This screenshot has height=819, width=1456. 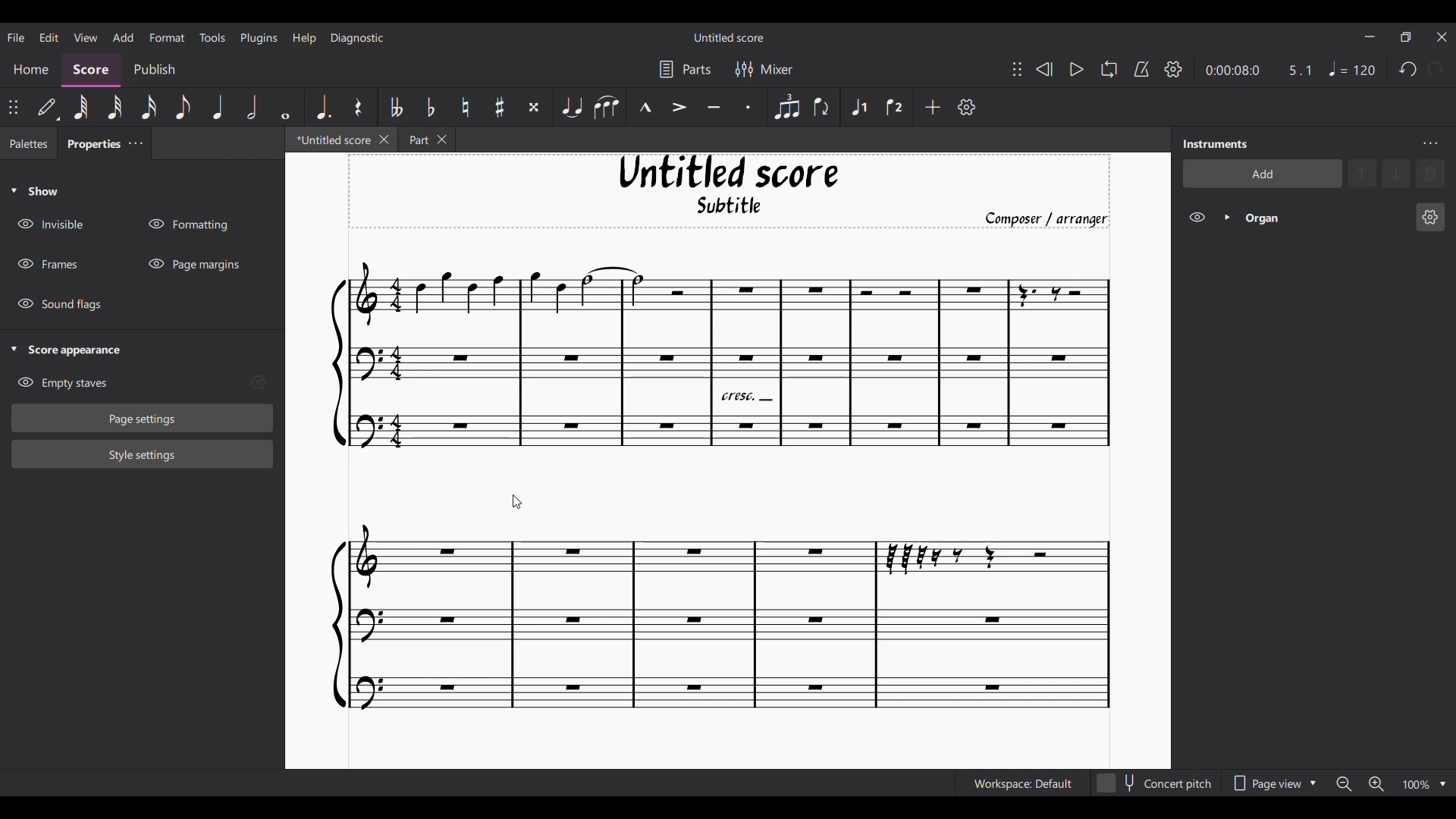 I want to click on View menu, so click(x=85, y=36).